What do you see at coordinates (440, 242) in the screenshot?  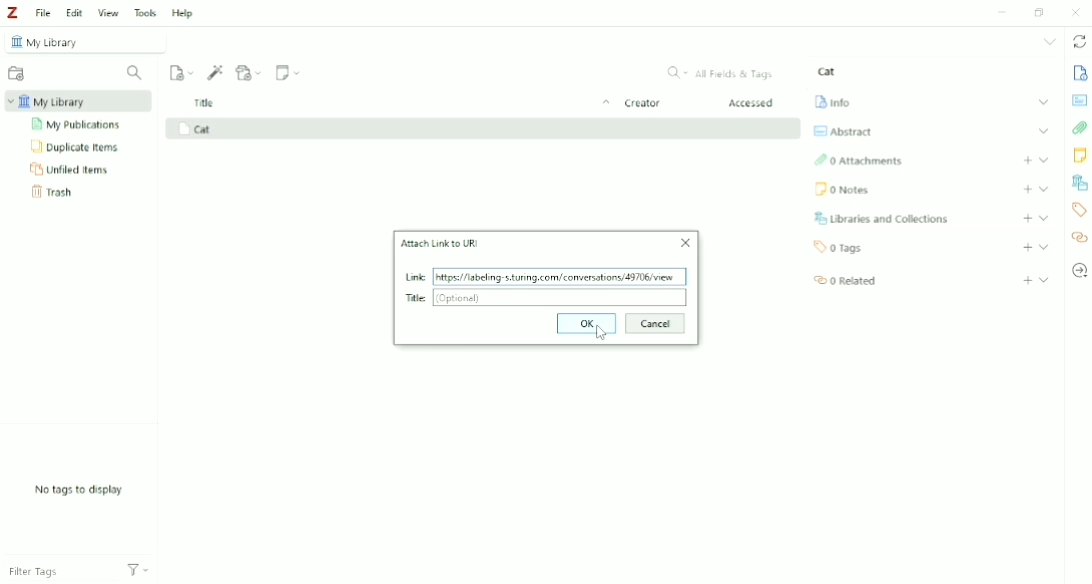 I see `Attach Link to URL` at bounding box center [440, 242].